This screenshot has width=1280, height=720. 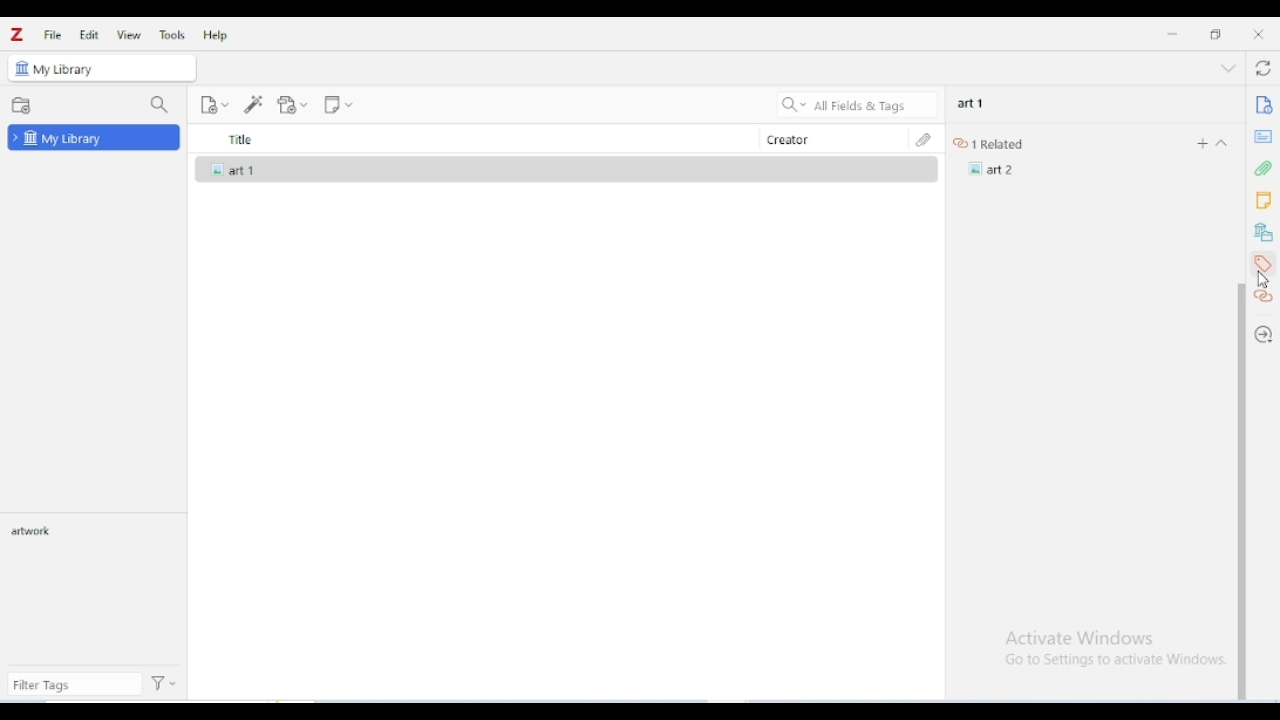 What do you see at coordinates (172, 35) in the screenshot?
I see `tools` at bounding box center [172, 35].